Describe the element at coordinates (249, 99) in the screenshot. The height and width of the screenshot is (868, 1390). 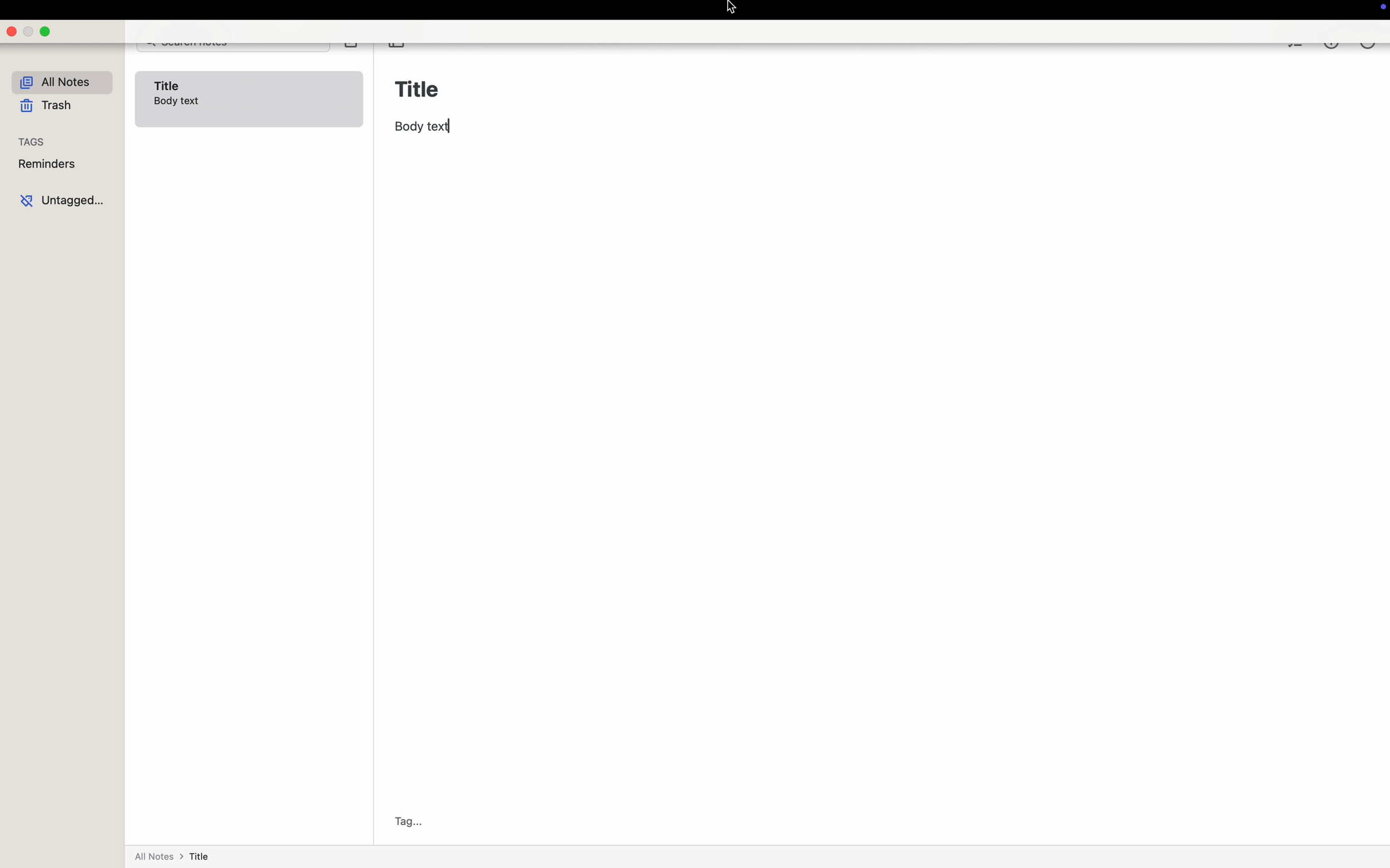
I see `Title Body text` at that location.